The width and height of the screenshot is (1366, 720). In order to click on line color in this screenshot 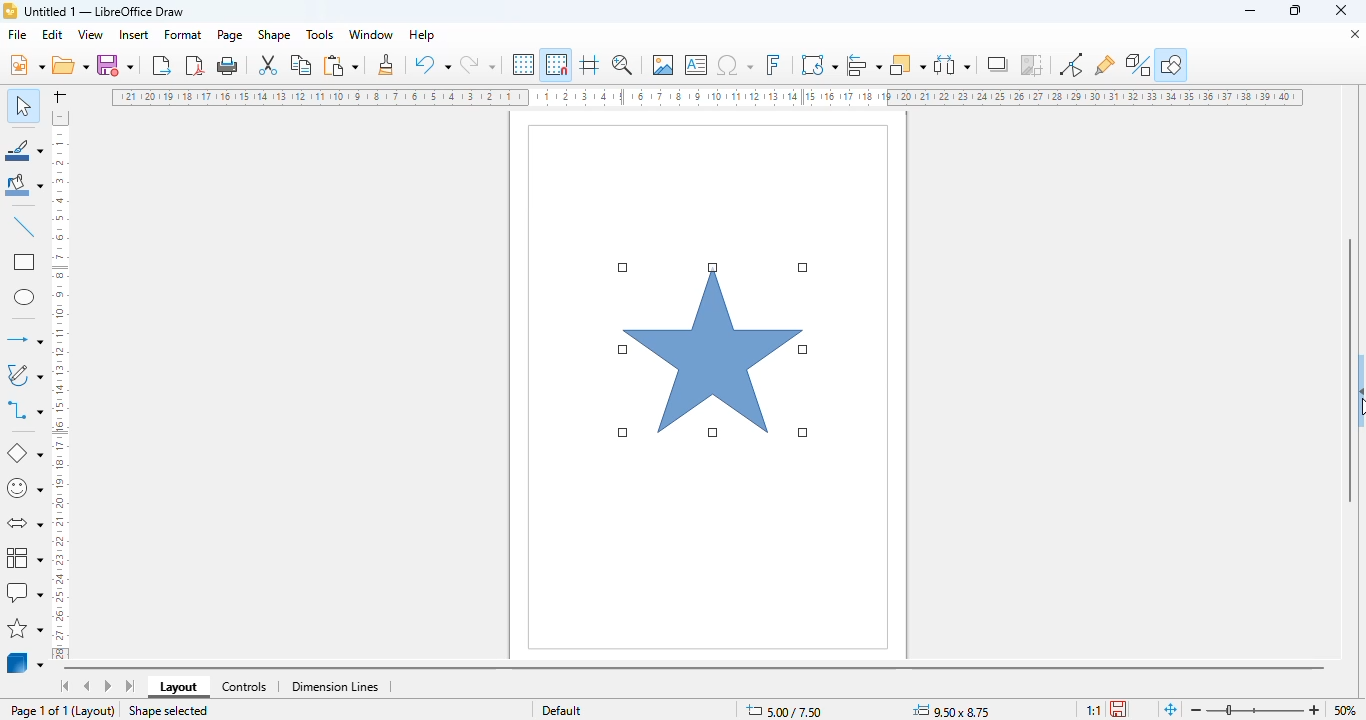, I will do `click(24, 150)`.